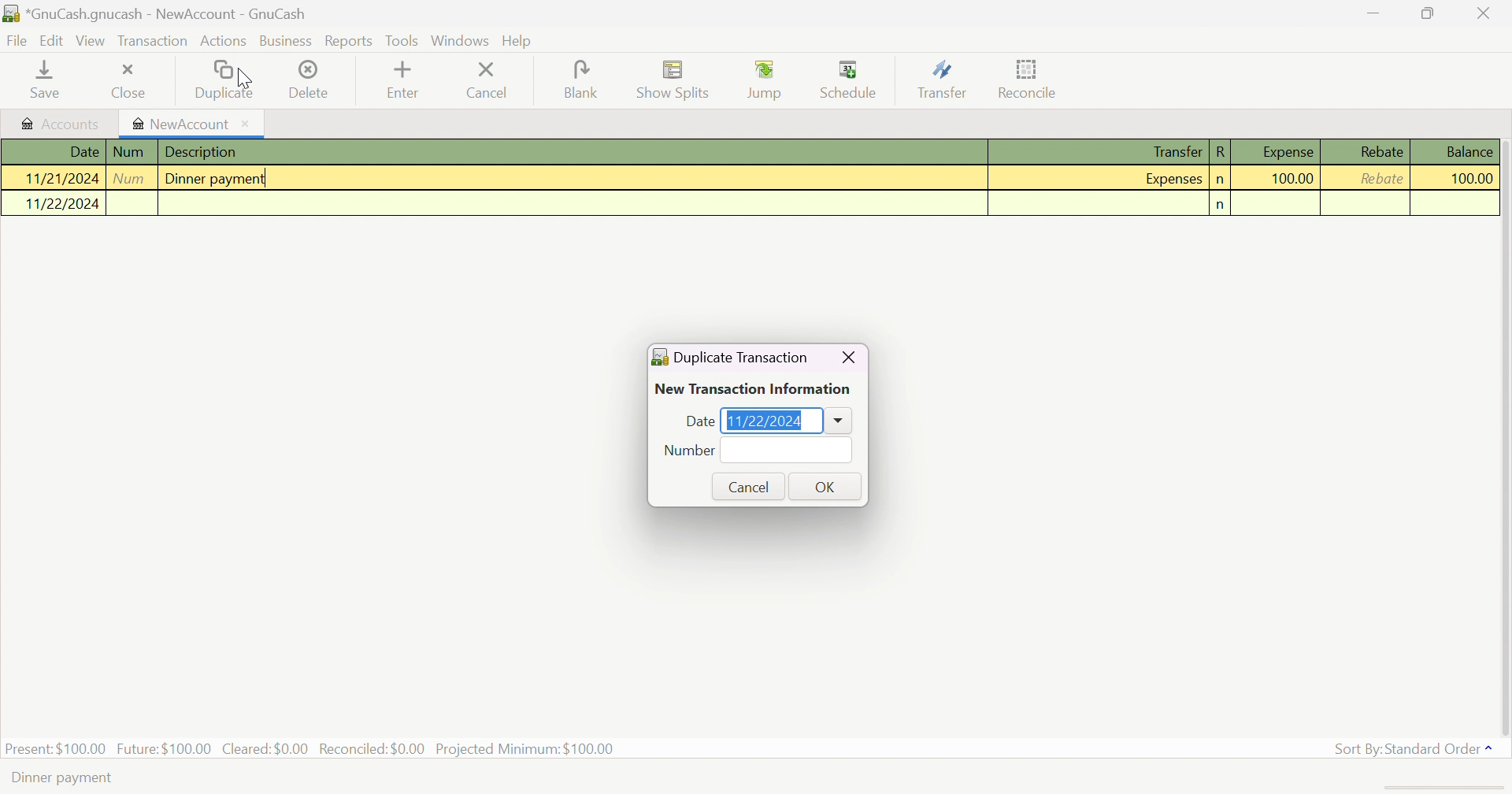 The height and width of the screenshot is (794, 1512). Describe the element at coordinates (1373, 11) in the screenshot. I see `Minimize` at that location.